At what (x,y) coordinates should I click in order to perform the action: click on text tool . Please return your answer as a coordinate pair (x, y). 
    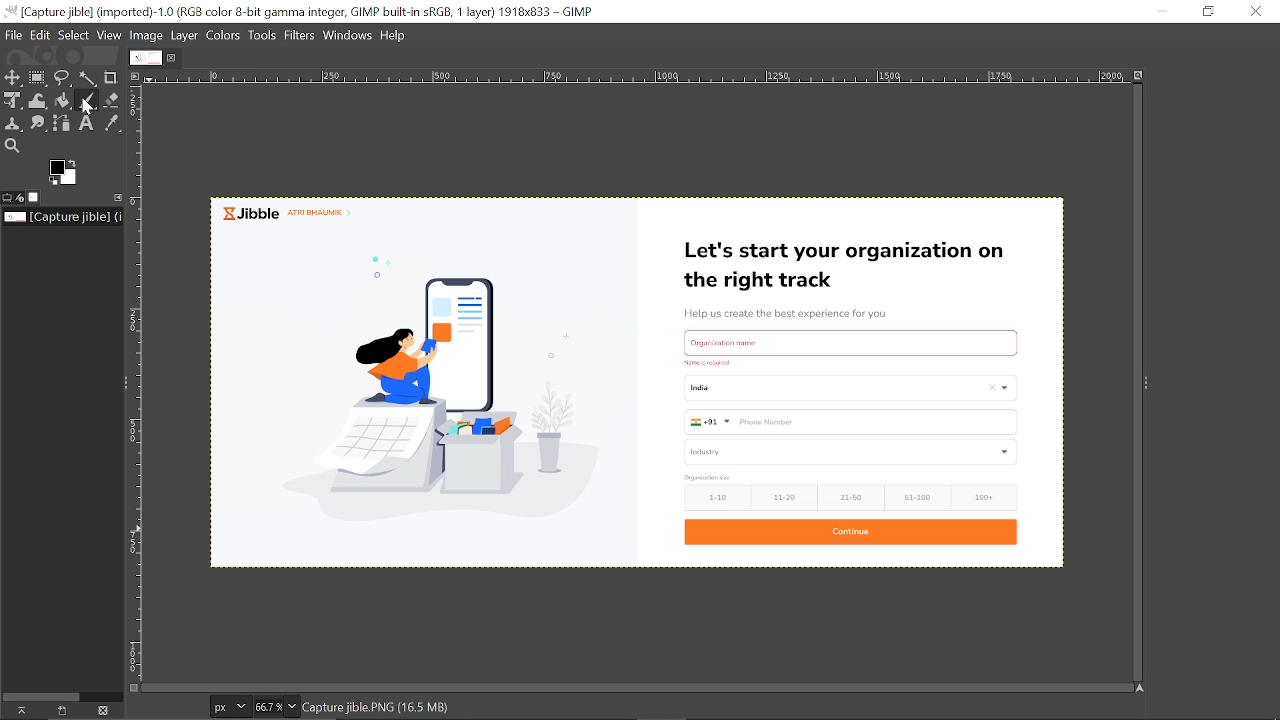
    Looking at the image, I should click on (88, 124).